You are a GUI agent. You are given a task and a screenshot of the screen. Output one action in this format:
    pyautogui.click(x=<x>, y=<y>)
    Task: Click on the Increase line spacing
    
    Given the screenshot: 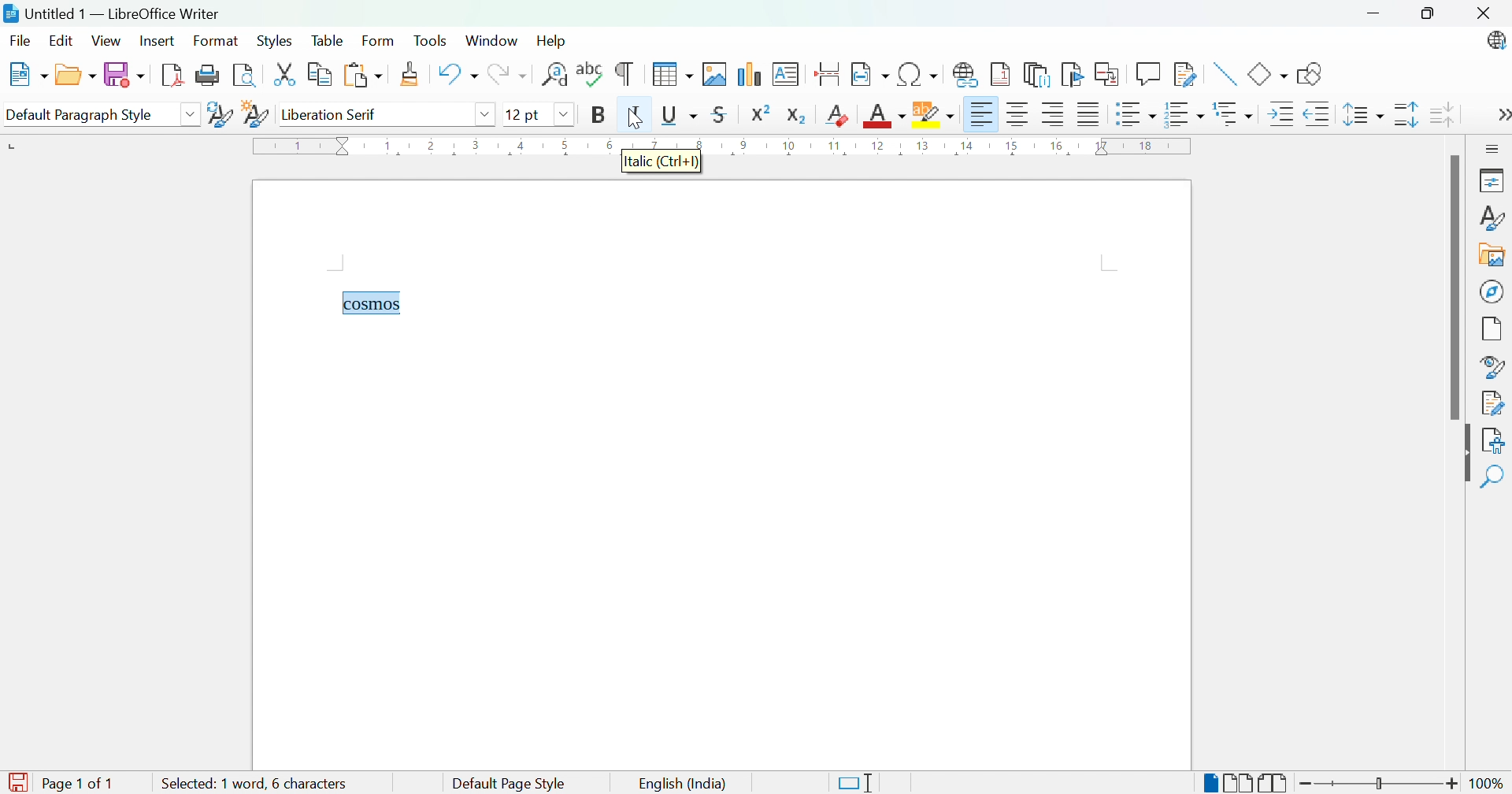 What is the action you would take?
    pyautogui.click(x=1406, y=115)
    